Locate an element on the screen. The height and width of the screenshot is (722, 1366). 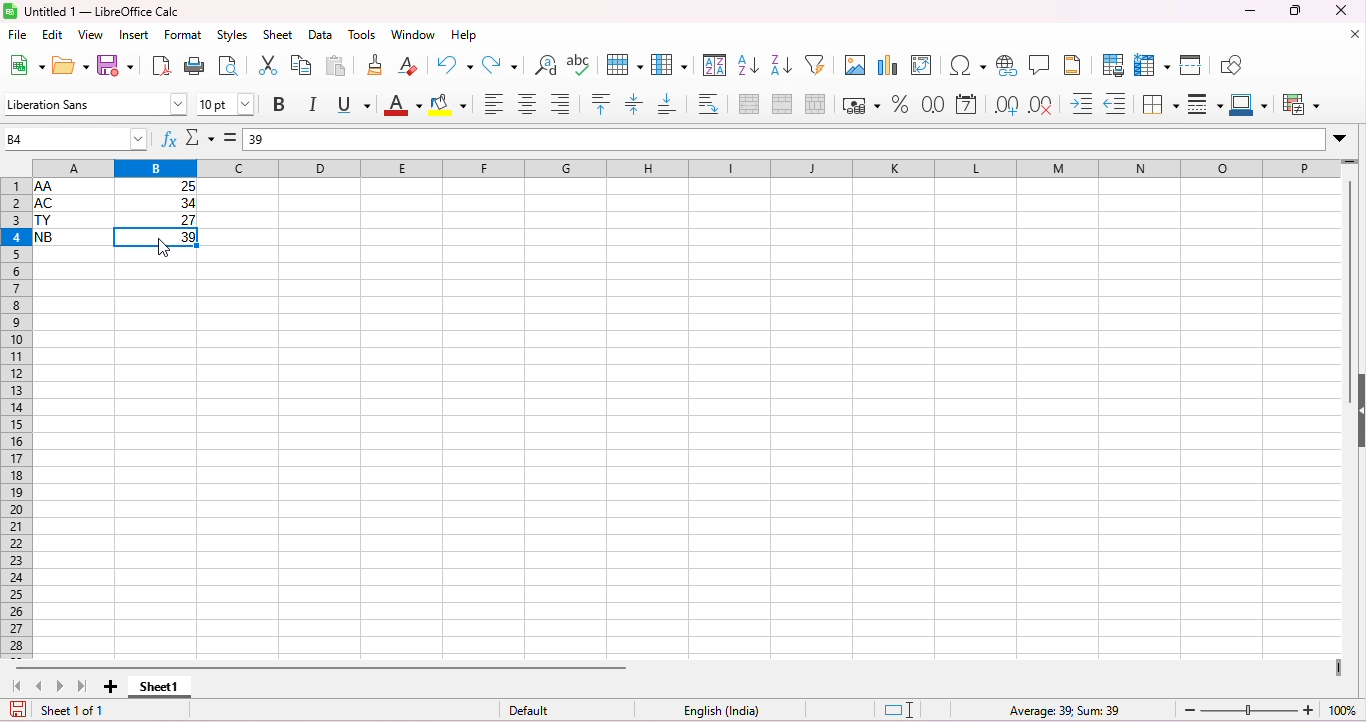
spelling is located at coordinates (581, 65).